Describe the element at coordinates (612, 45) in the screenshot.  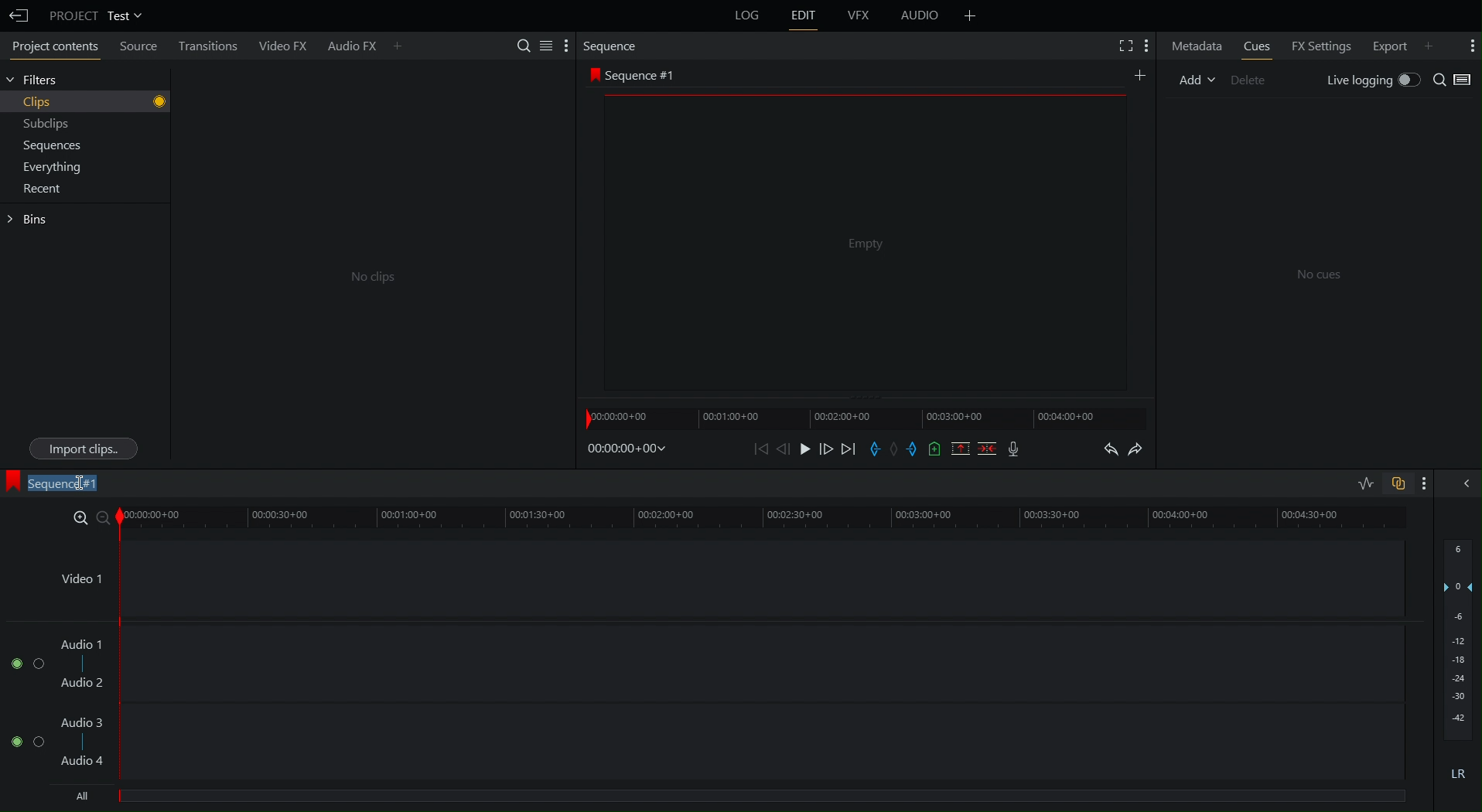
I see `Sequence` at that location.